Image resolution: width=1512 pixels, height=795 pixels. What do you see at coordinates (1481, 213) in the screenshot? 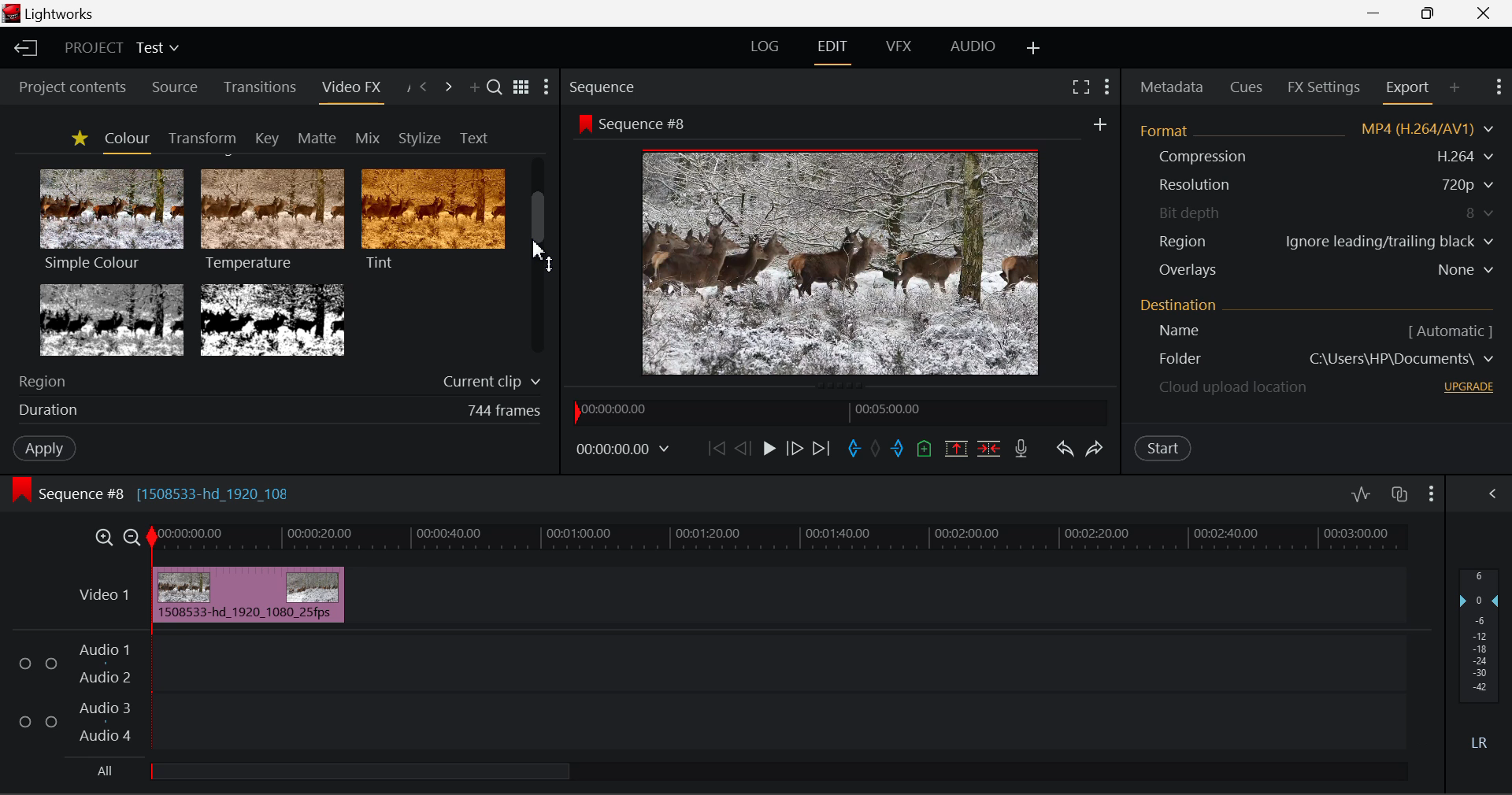
I see `8 ` at bounding box center [1481, 213].